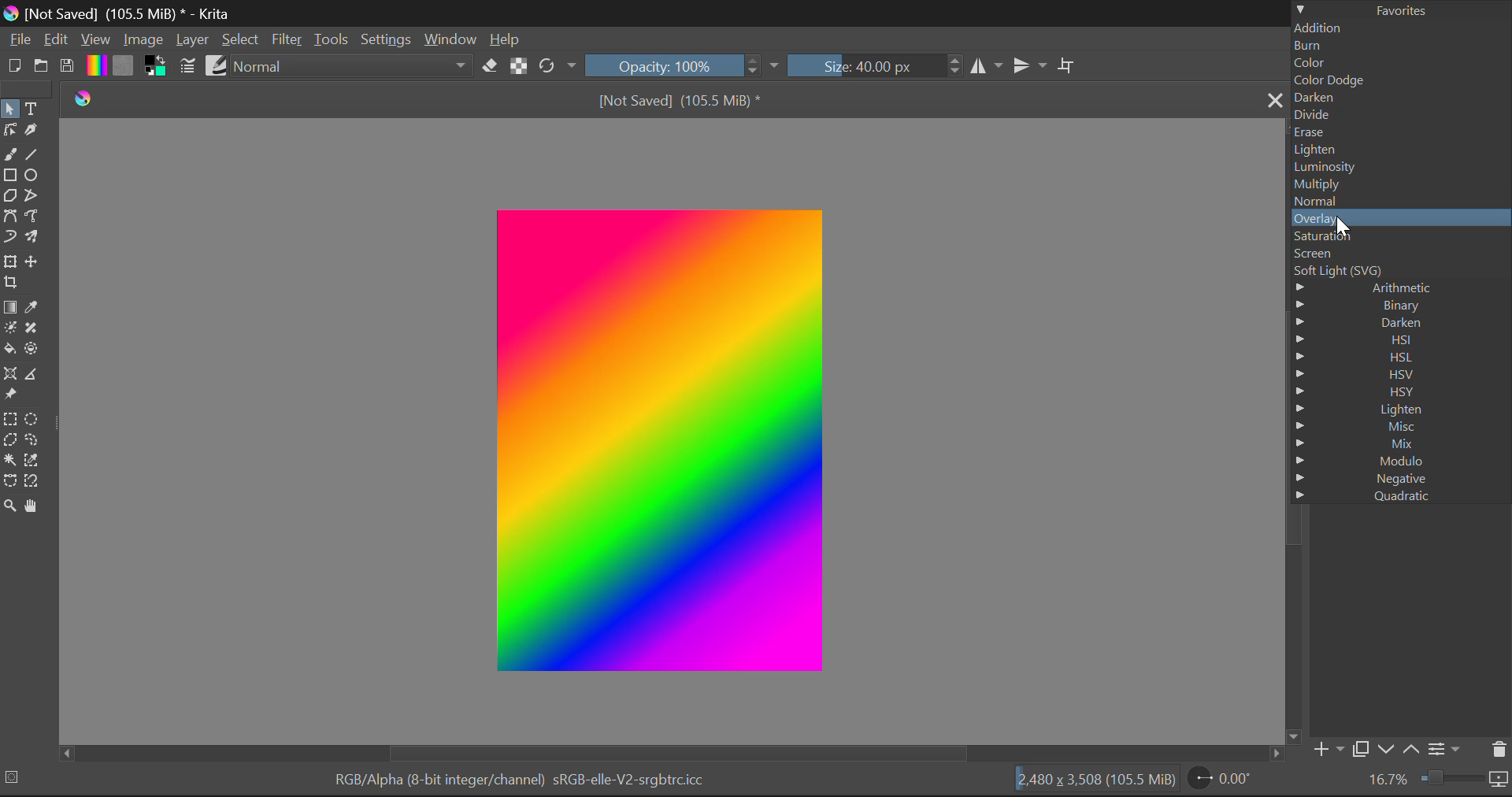  I want to click on Similar Color Selection, so click(32, 460).